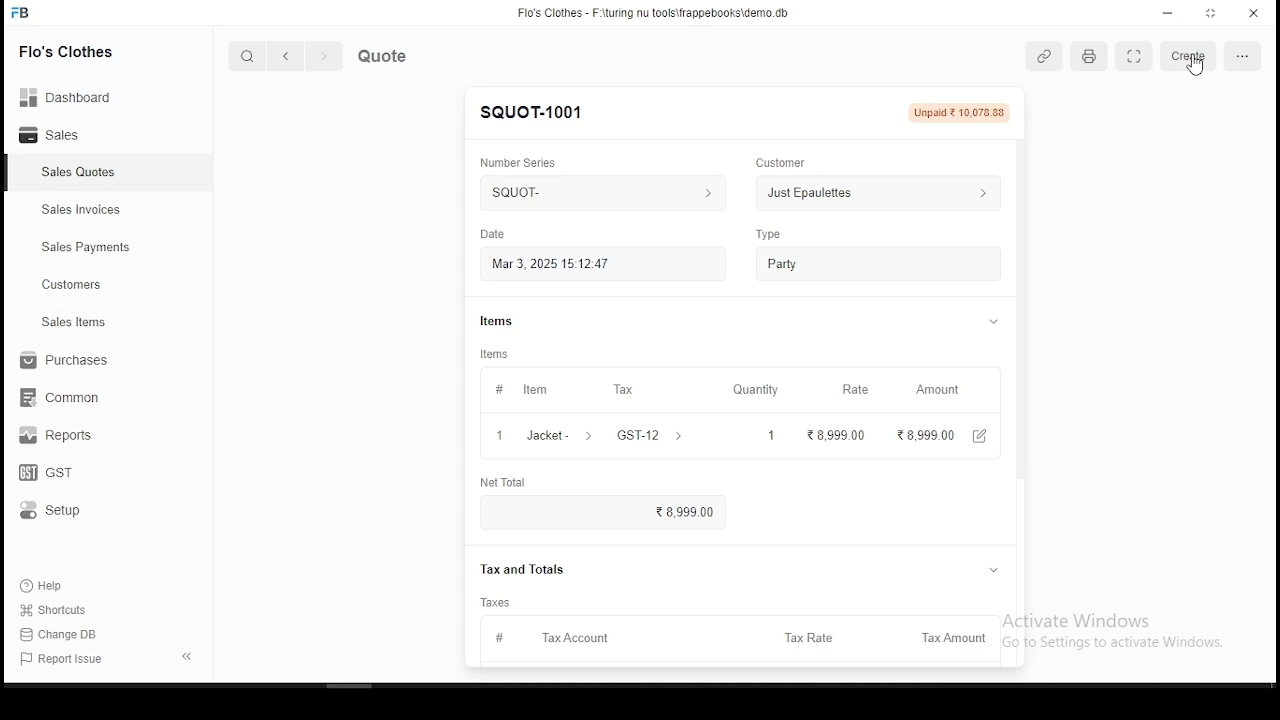 The width and height of the screenshot is (1280, 720). I want to click on maximize, so click(1212, 13).